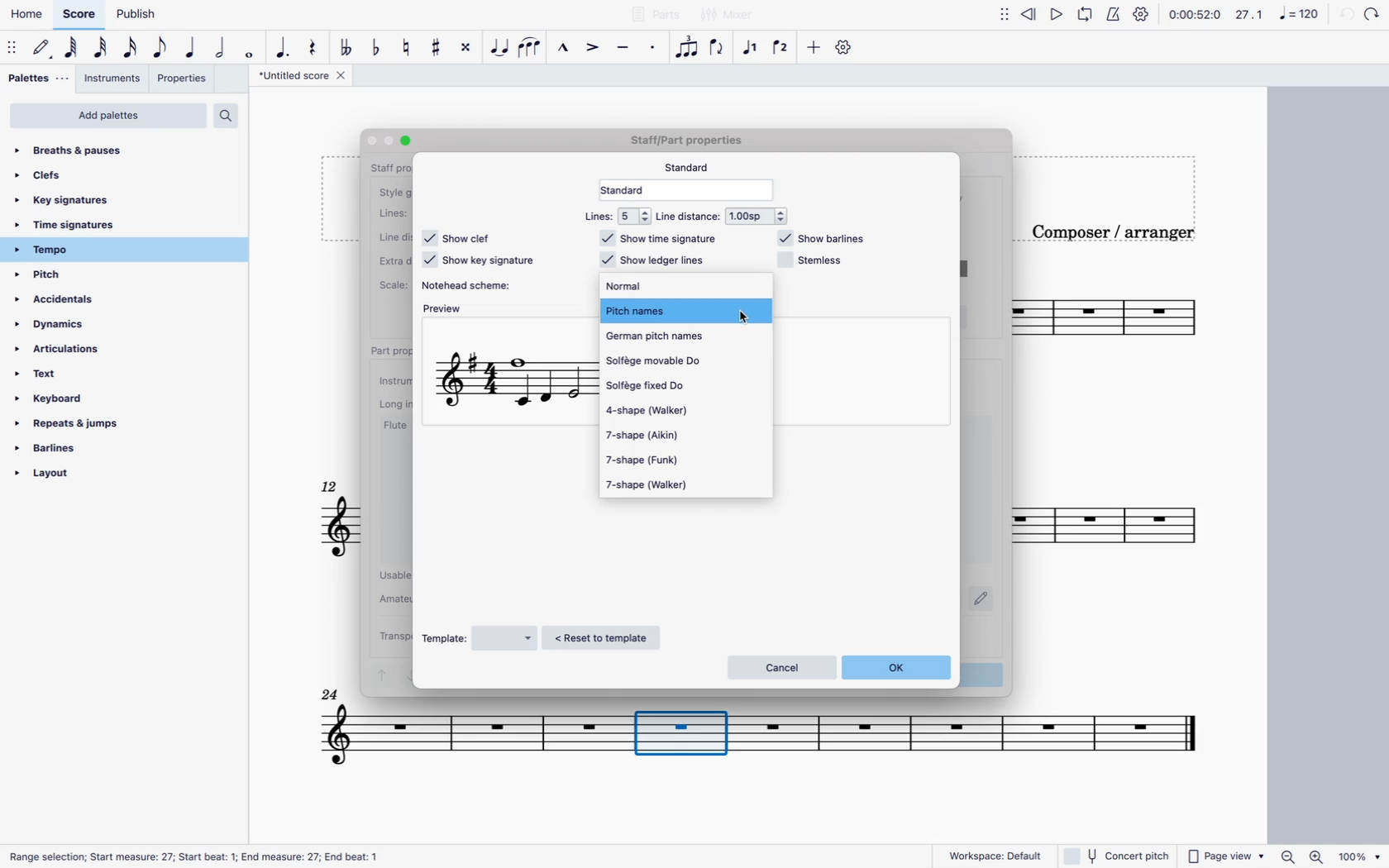 Image resolution: width=1389 pixels, height=868 pixels. Describe the element at coordinates (103, 448) in the screenshot. I see `barlines` at that location.